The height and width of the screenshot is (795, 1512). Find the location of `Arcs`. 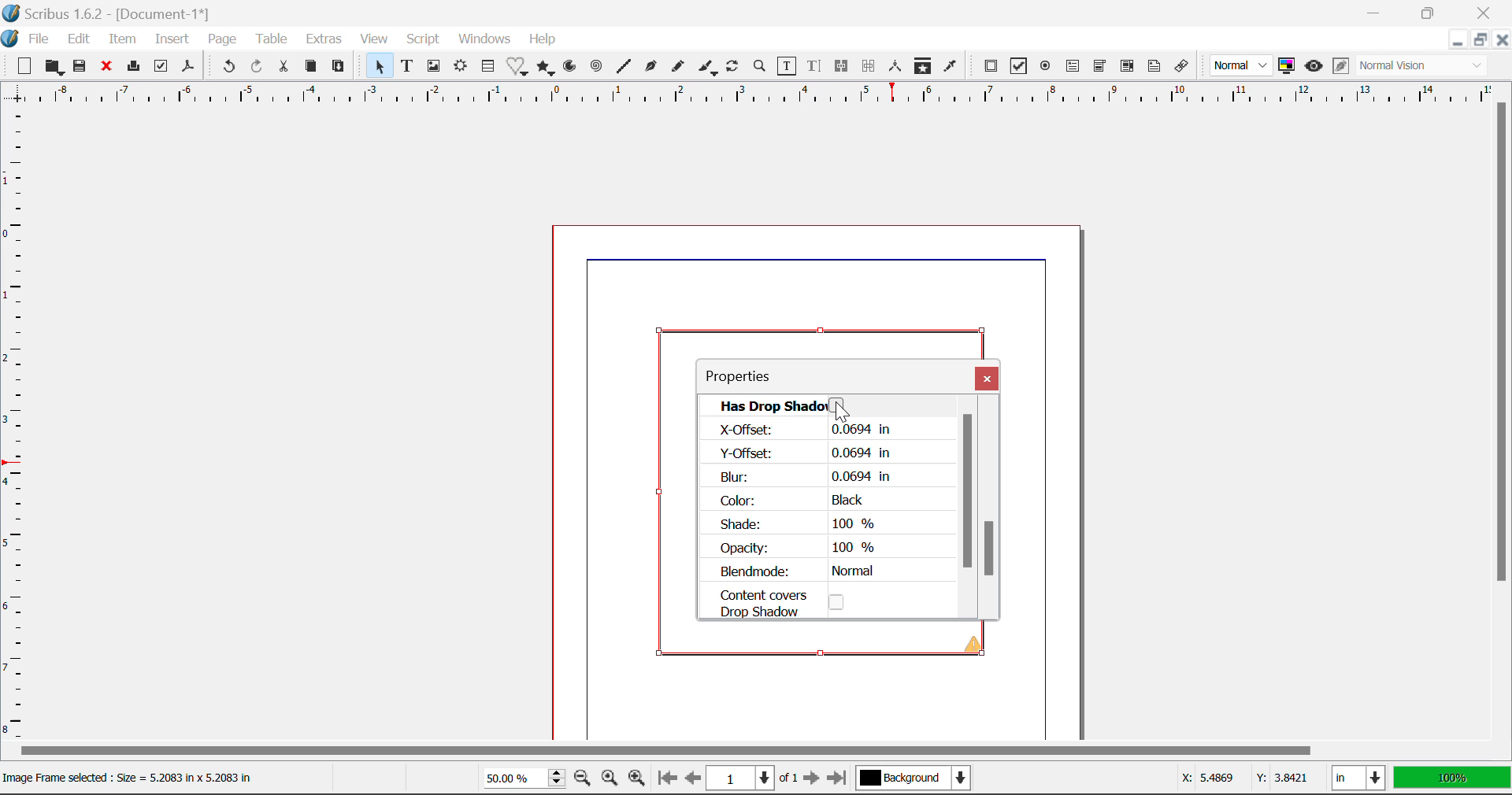

Arcs is located at coordinates (568, 70).